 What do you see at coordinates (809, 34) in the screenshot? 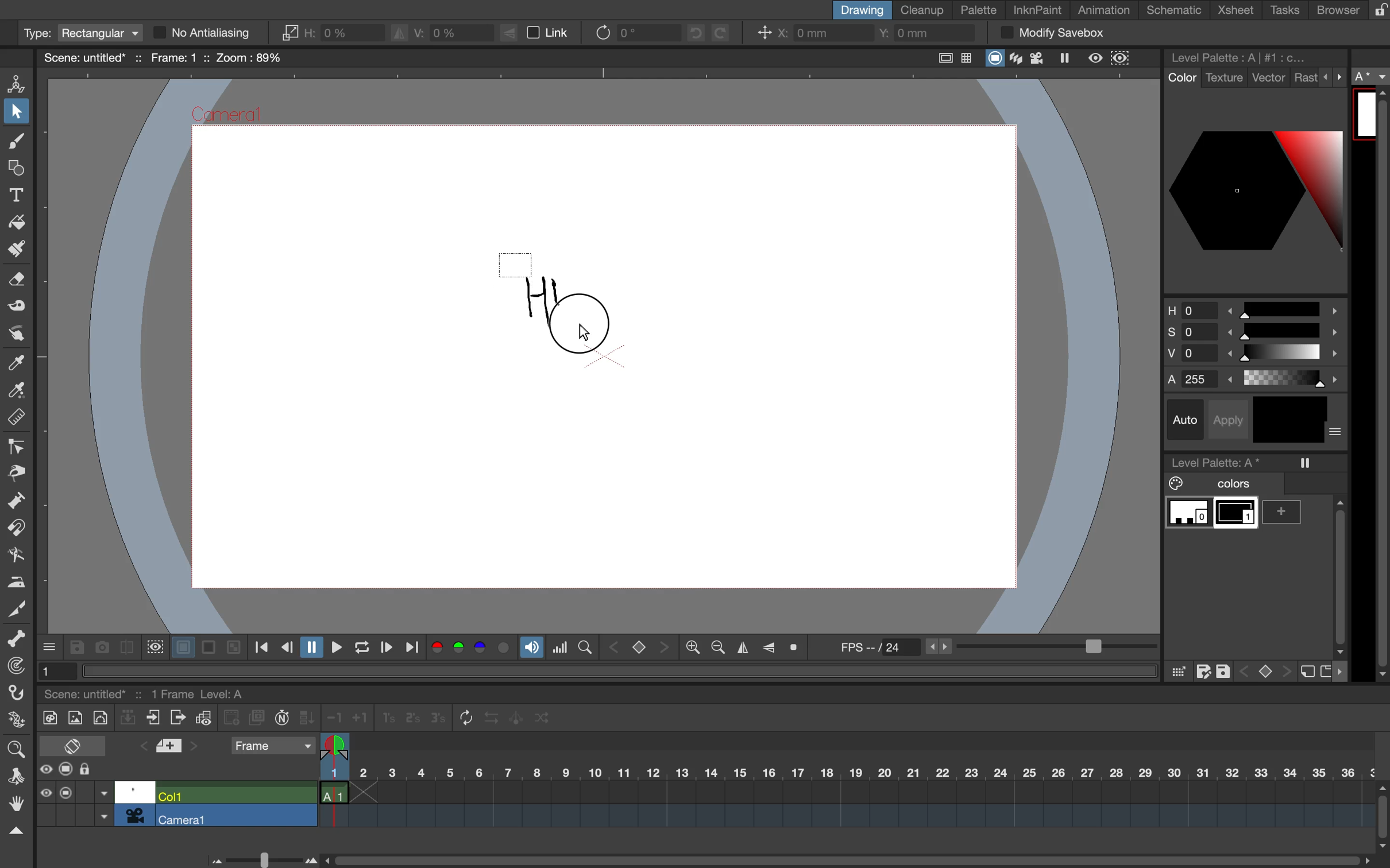
I see `x coordinate` at bounding box center [809, 34].